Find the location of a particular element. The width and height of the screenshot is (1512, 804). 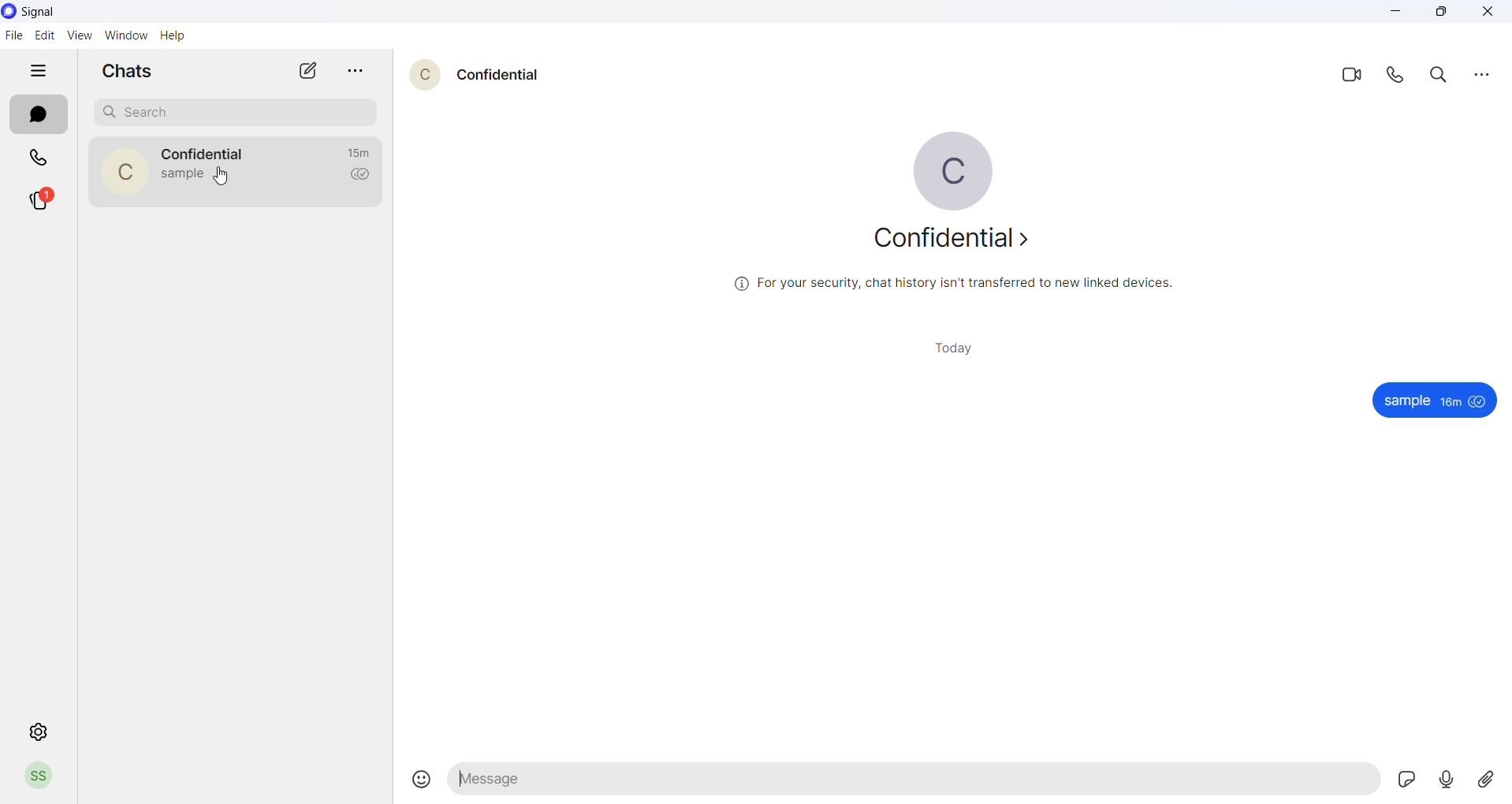

18m is located at coordinates (1449, 401).